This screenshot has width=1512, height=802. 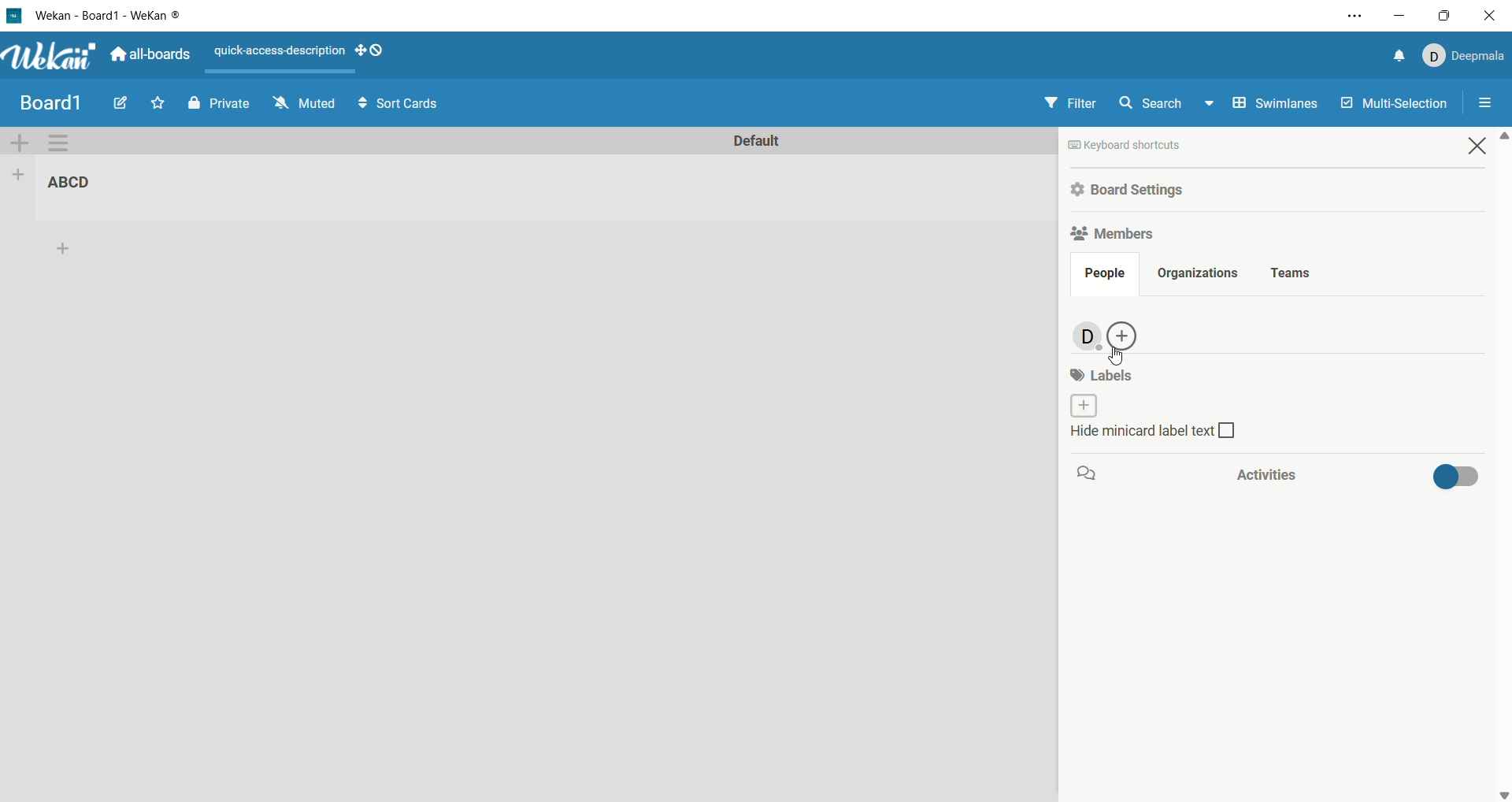 I want to click on search, so click(x=1169, y=102).